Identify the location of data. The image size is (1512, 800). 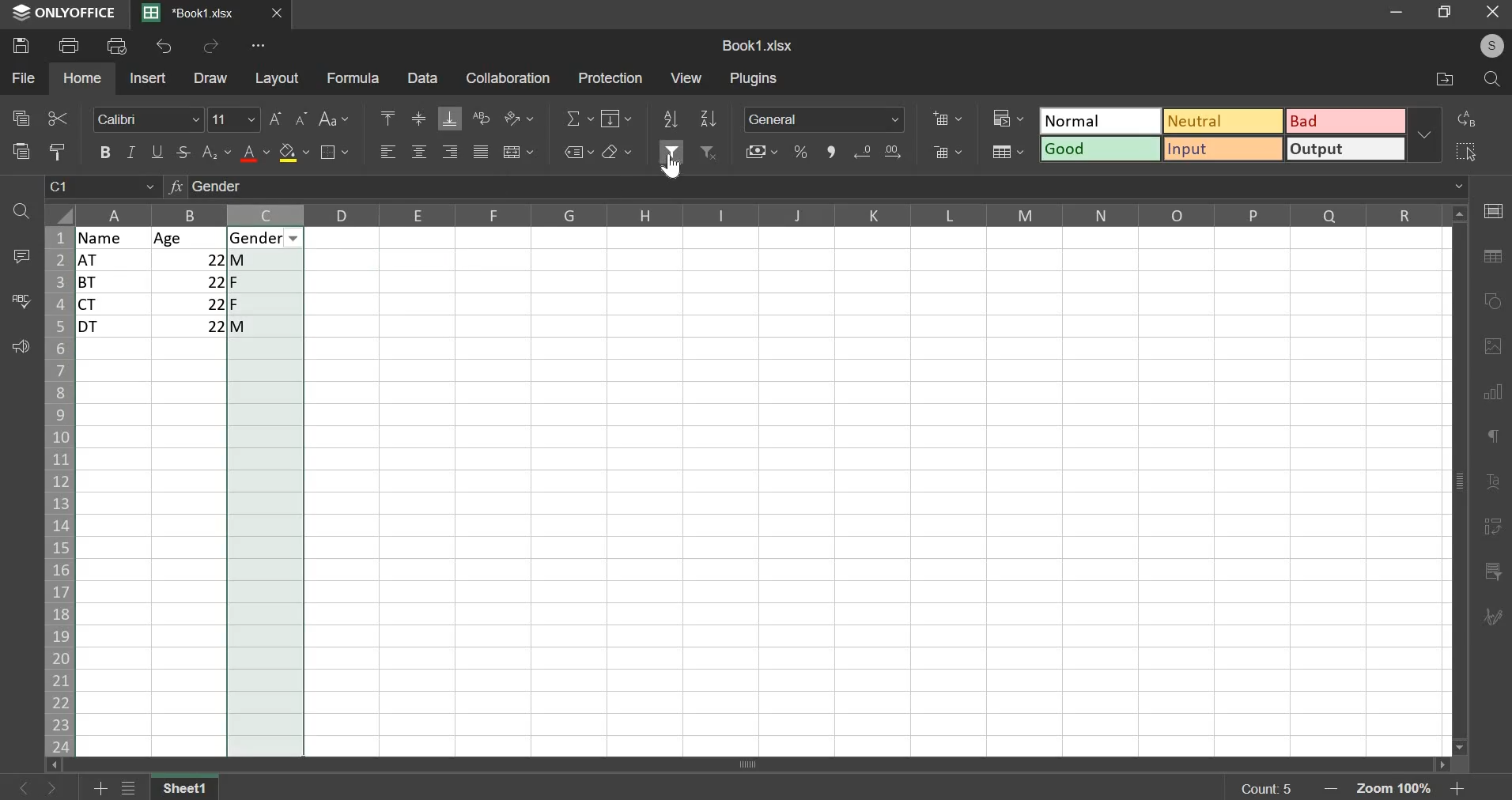
(421, 77).